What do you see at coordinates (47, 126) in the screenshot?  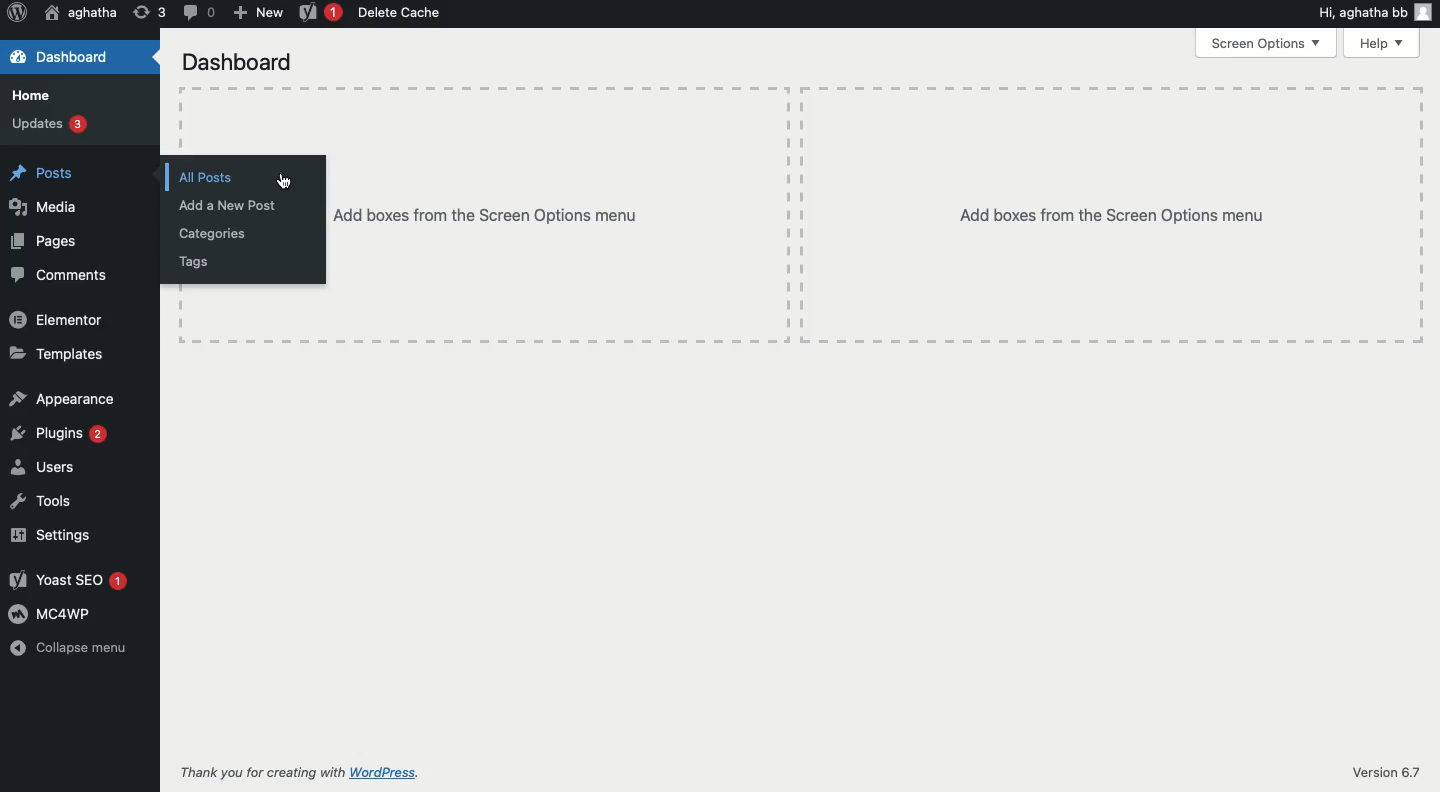 I see `Updates` at bounding box center [47, 126].